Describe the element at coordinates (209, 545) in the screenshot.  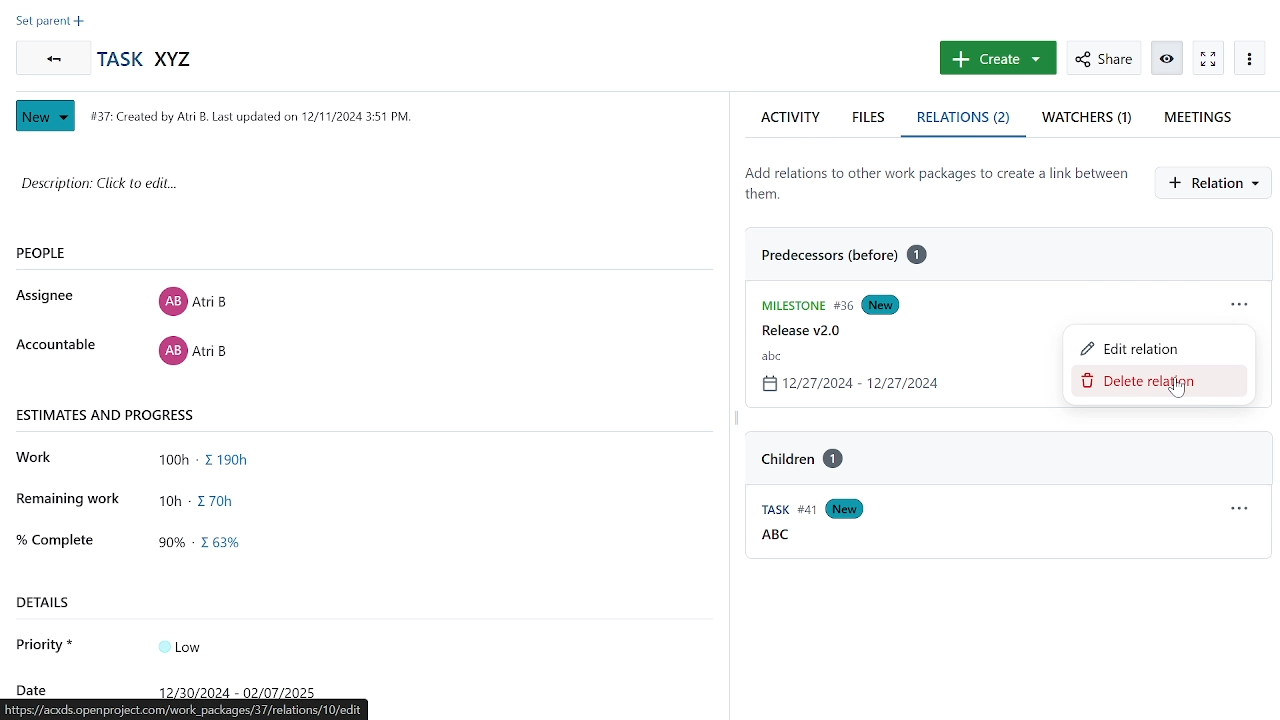
I see `completed work in progress` at that location.